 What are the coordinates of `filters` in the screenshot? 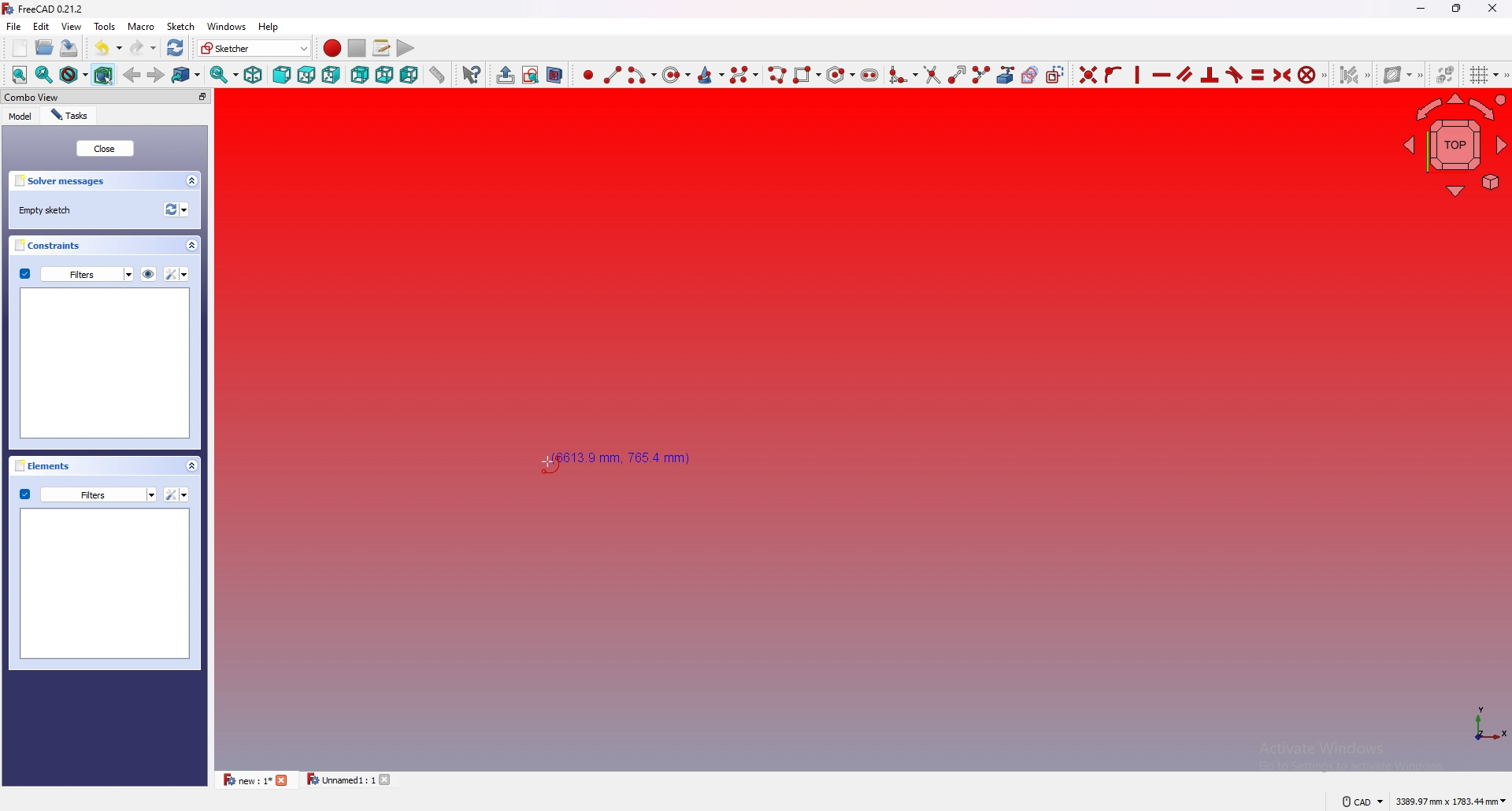 It's located at (77, 273).